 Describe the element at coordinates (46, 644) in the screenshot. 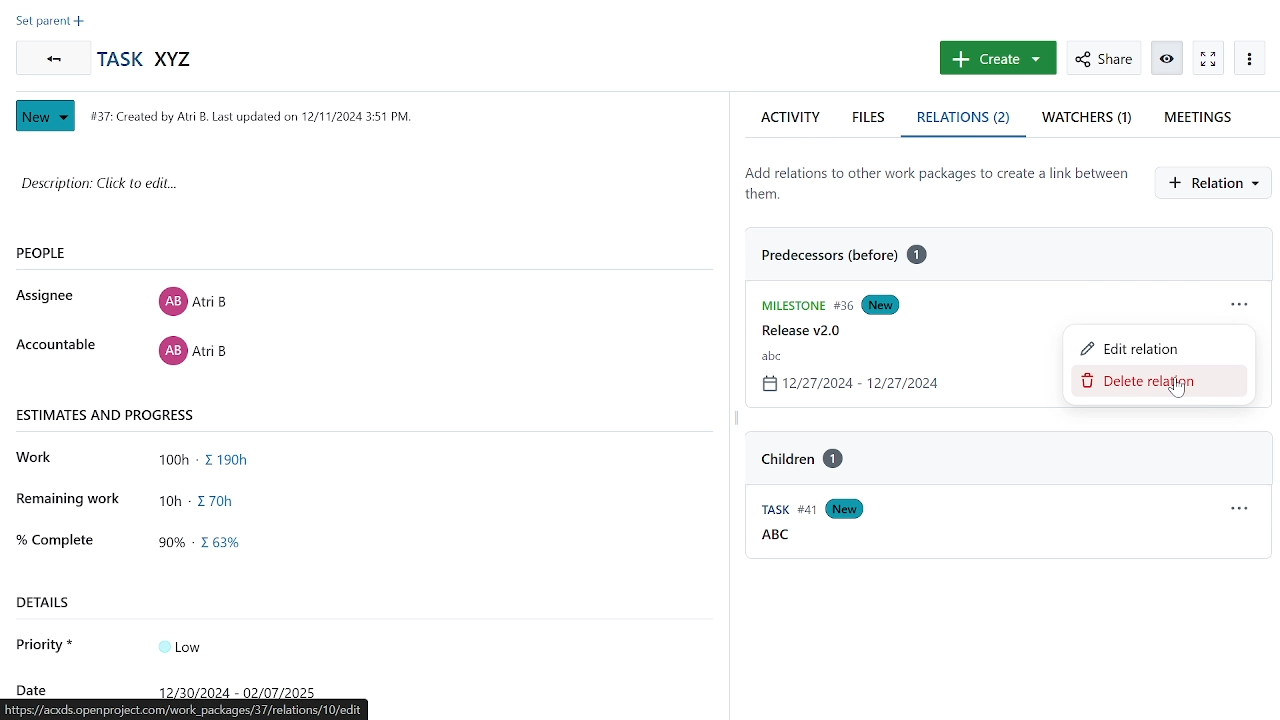

I see `priority*` at that location.